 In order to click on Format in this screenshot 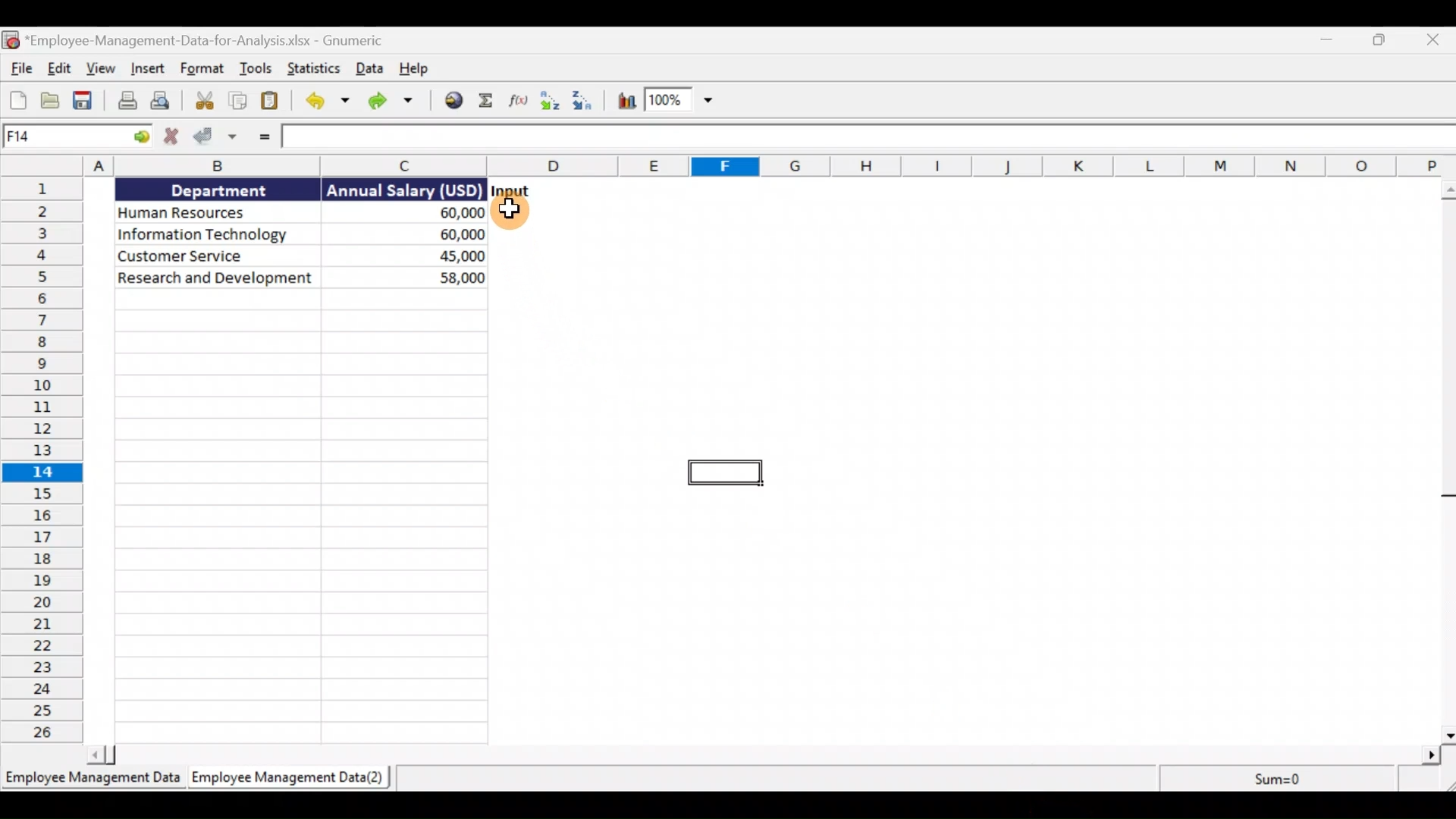, I will do `click(206, 68)`.